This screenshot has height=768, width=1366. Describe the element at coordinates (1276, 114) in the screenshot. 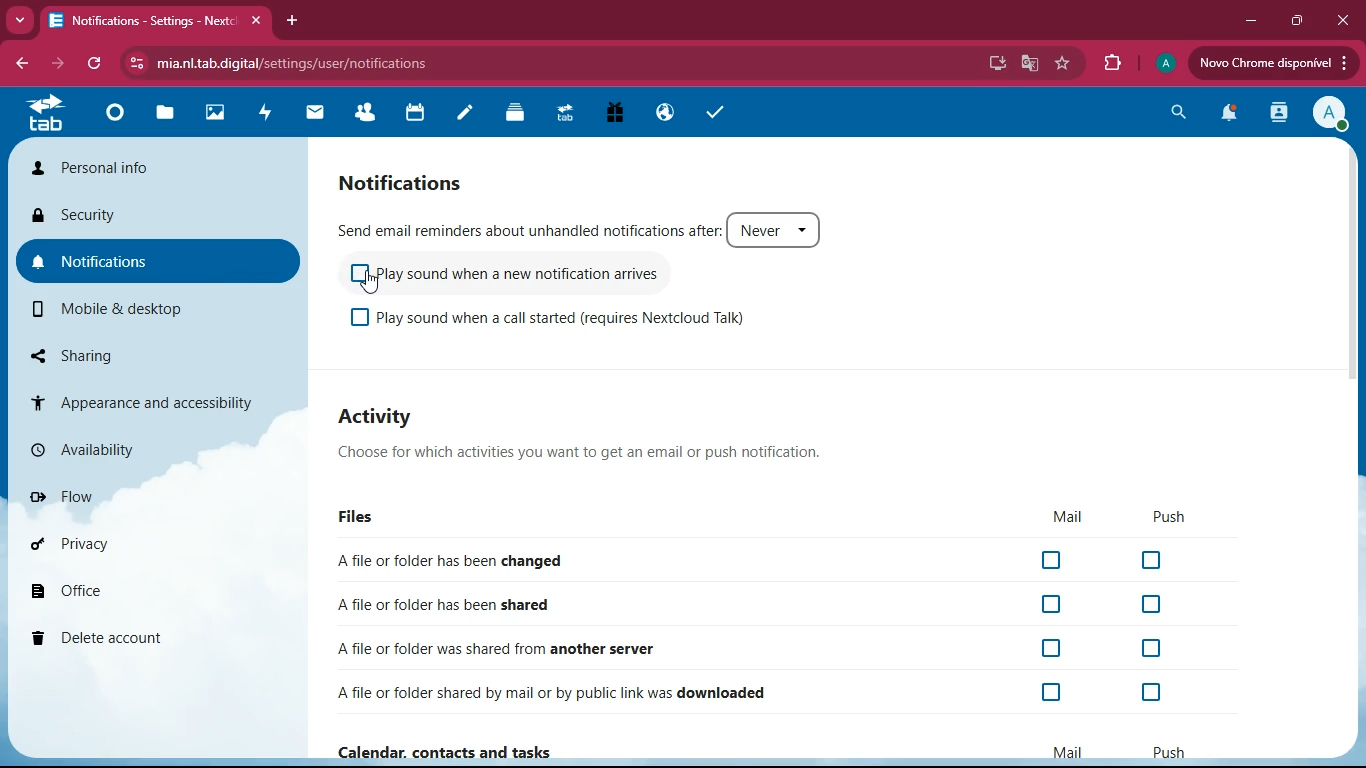

I see `activity` at that location.